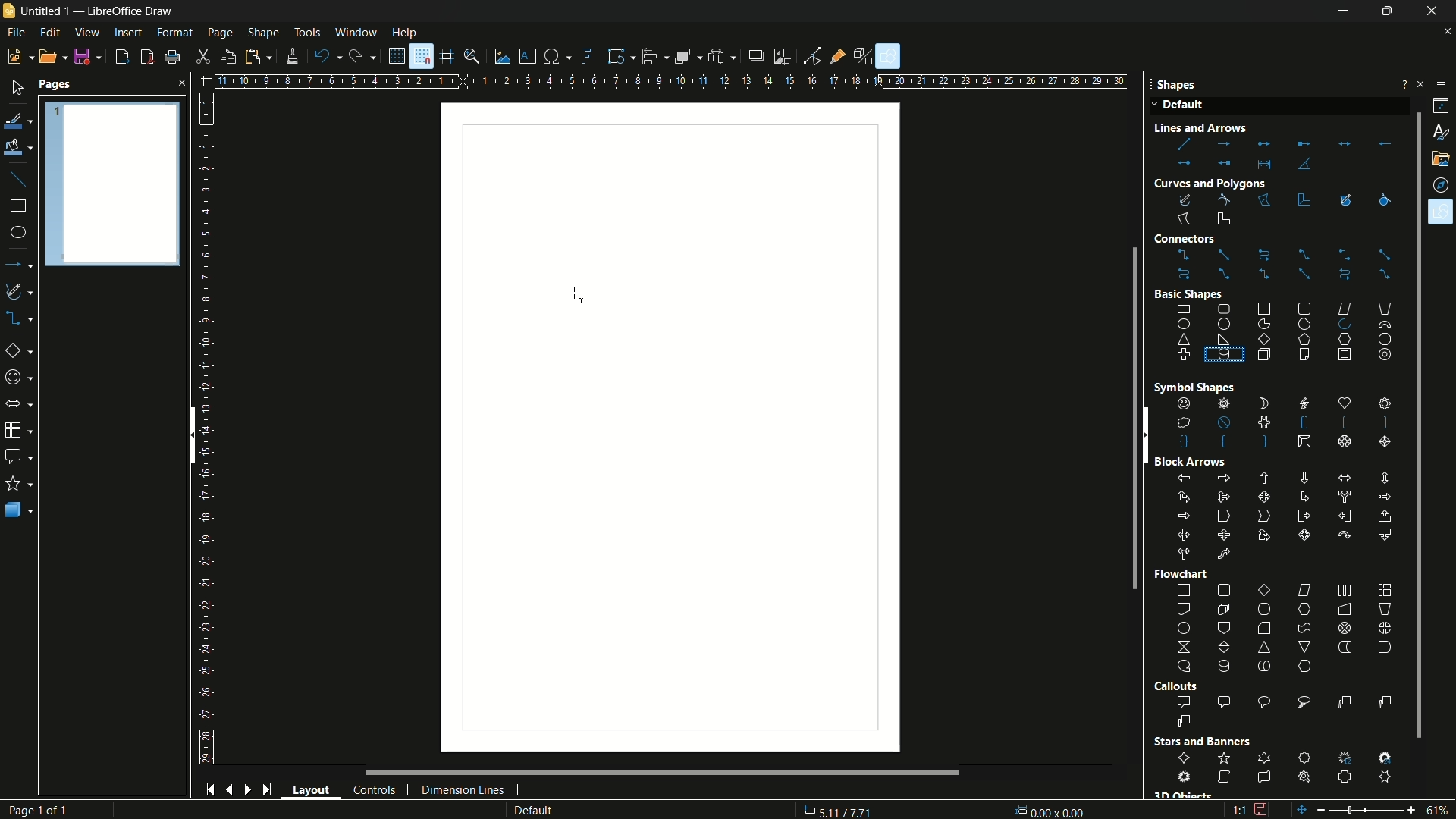 The image size is (1456, 819). What do you see at coordinates (670, 427) in the screenshot?
I see `workspace` at bounding box center [670, 427].